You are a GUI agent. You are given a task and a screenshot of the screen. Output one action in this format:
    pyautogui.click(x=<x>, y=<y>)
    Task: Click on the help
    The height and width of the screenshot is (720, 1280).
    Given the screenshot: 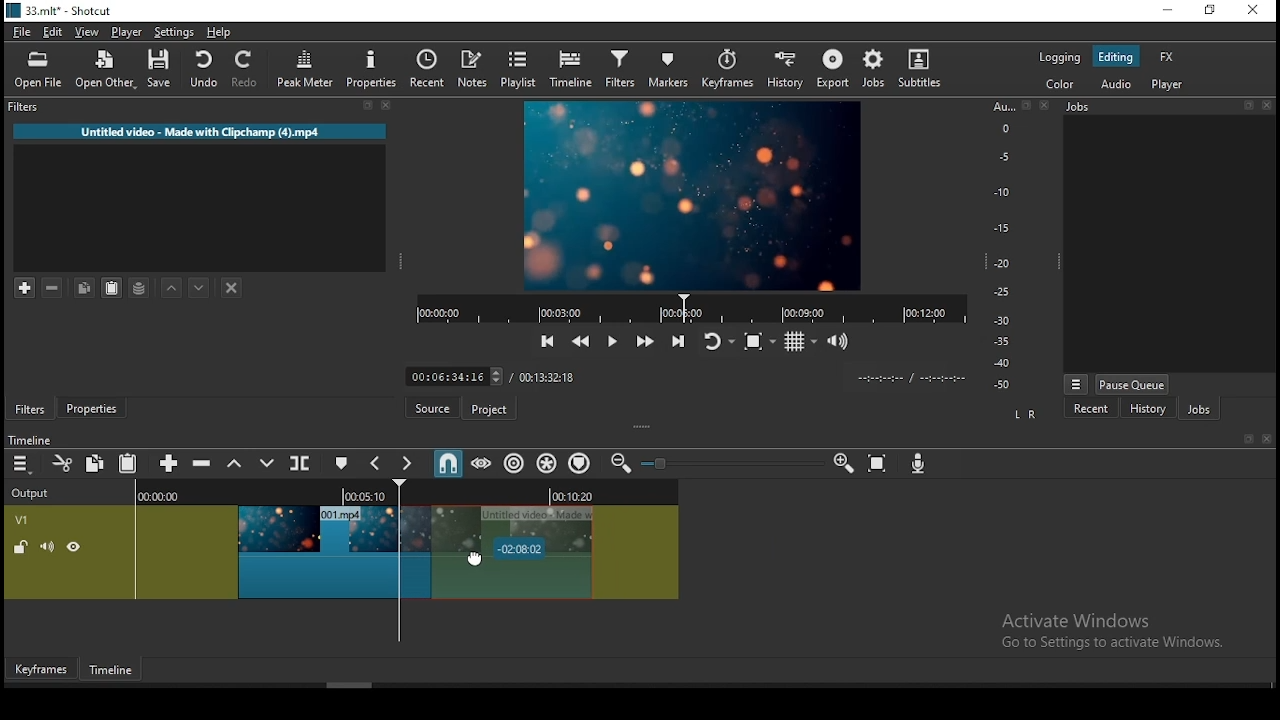 What is the action you would take?
    pyautogui.click(x=216, y=32)
    